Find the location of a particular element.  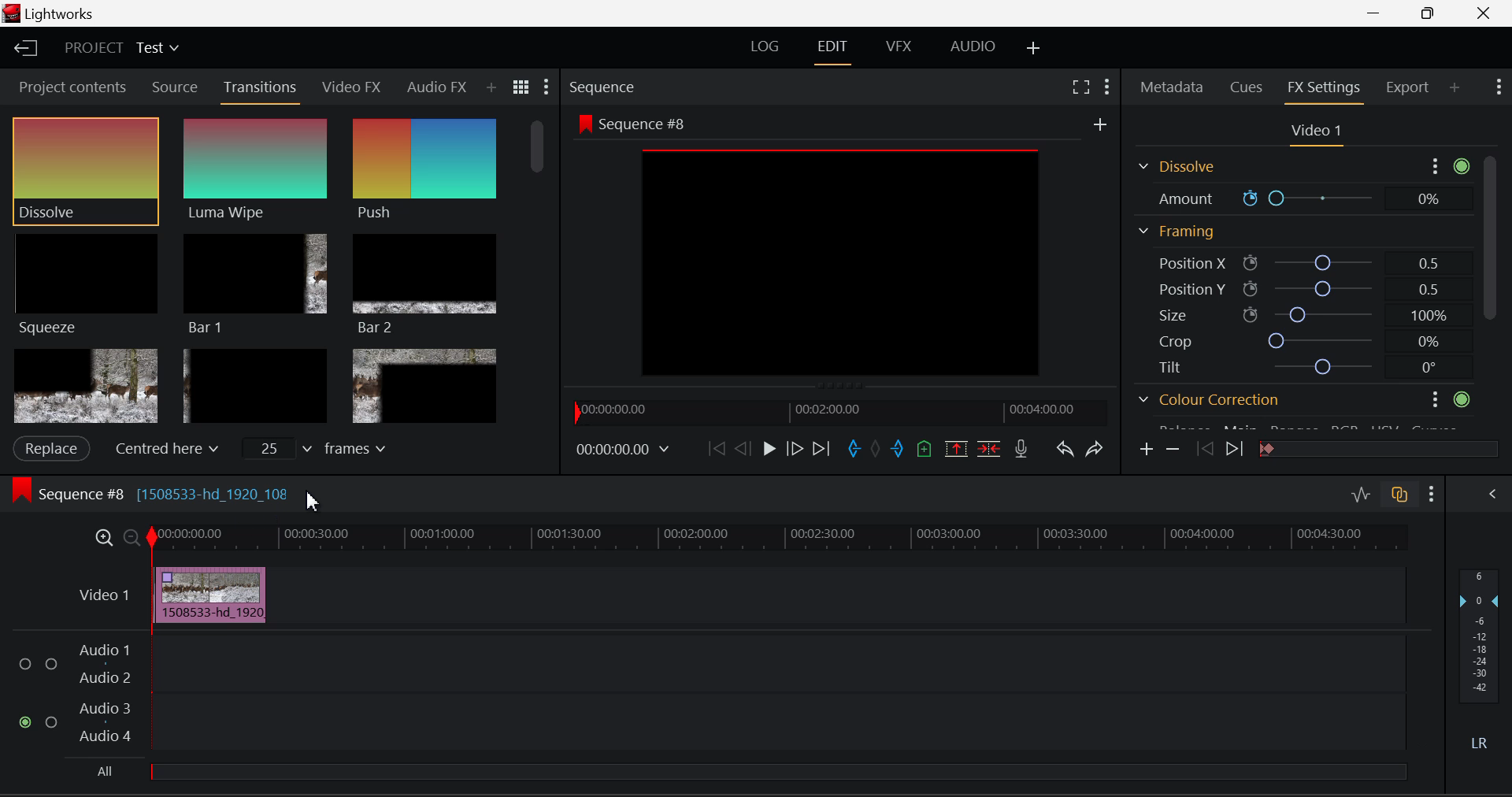

Scroll Bar is located at coordinates (539, 246).